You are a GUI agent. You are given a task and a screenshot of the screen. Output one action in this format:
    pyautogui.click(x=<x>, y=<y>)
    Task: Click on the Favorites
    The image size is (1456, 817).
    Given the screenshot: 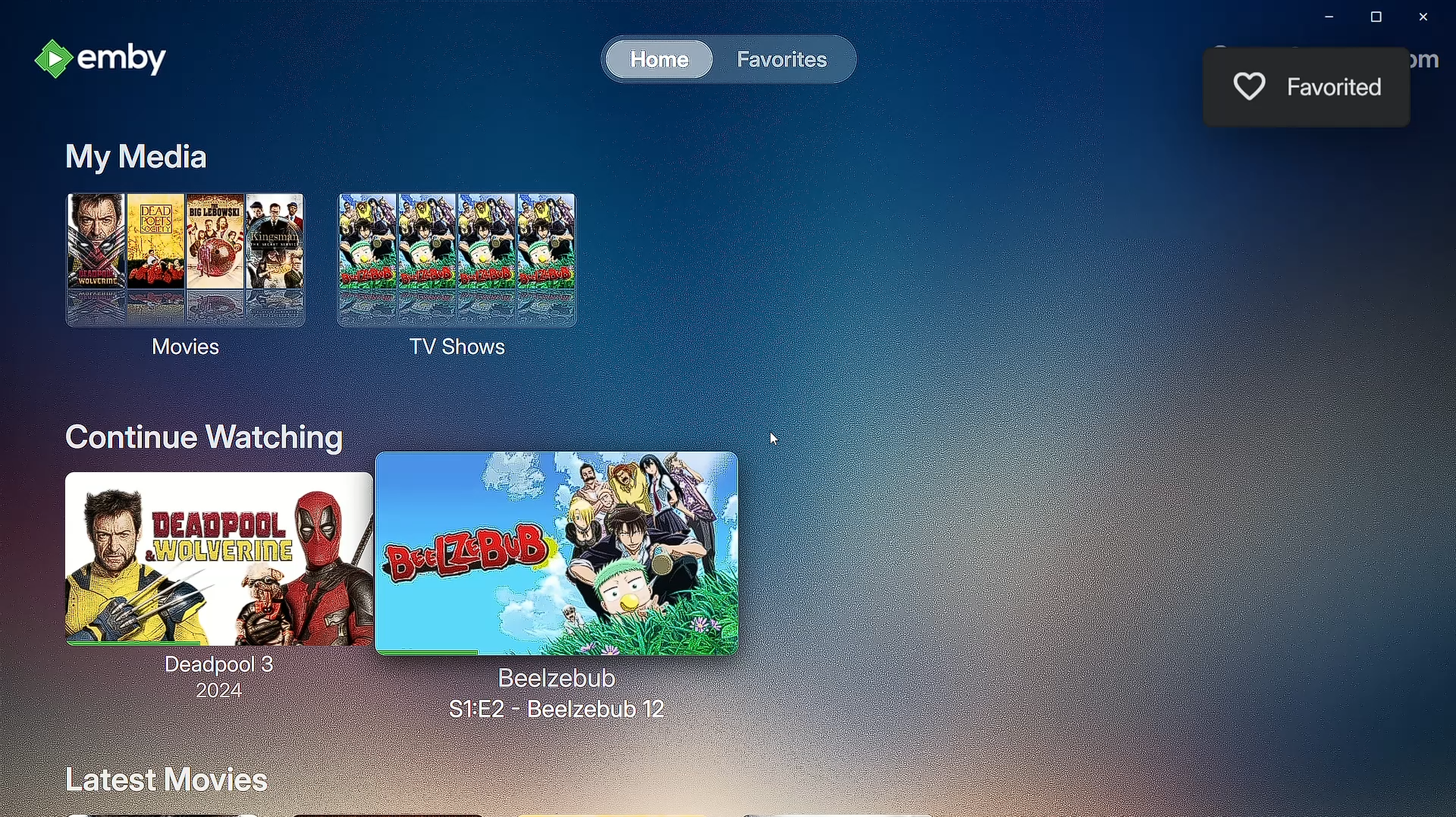 What is the action you would take?
    pyautogui.click(x=779, y=59)
    